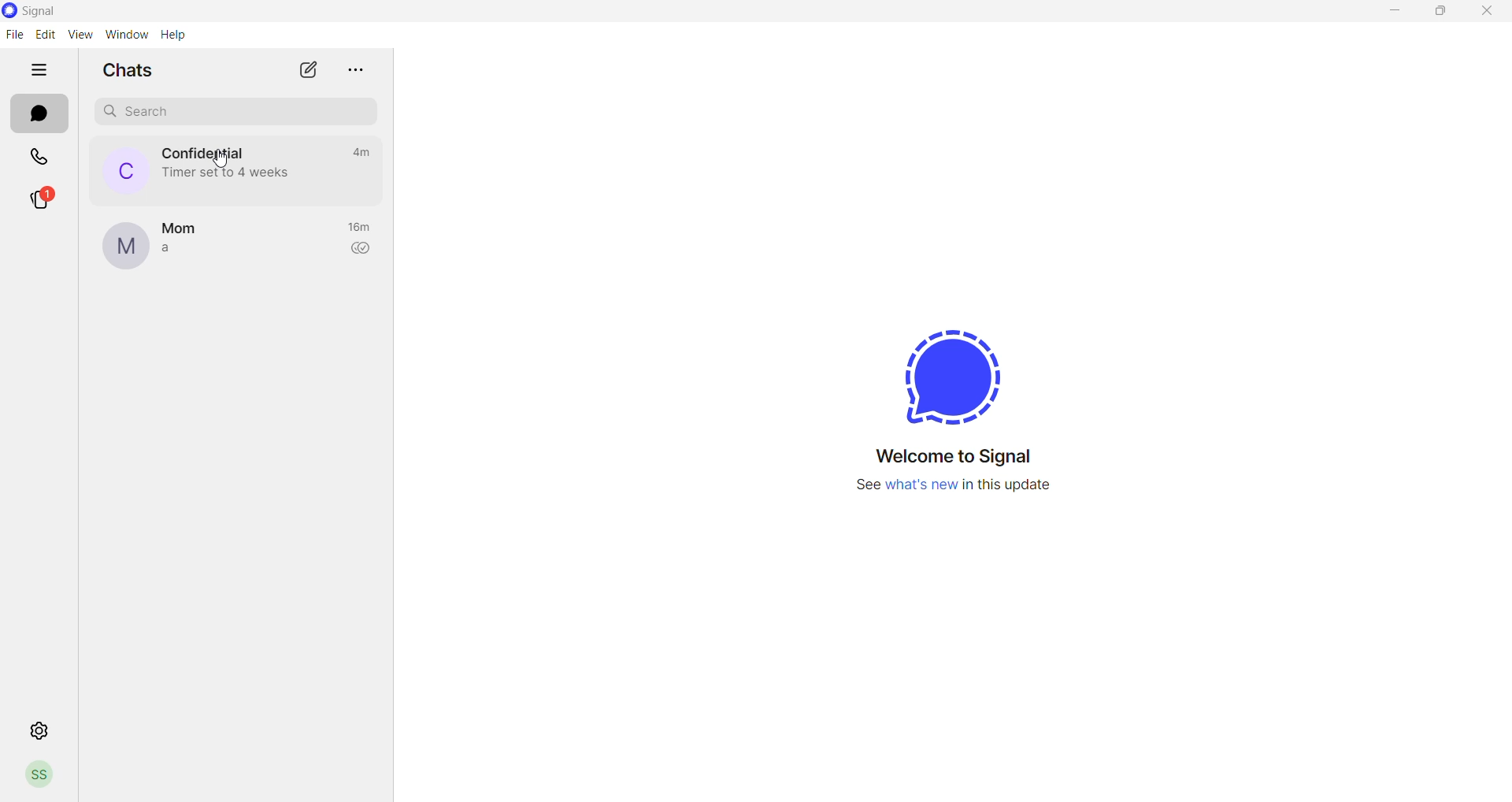  Describe the element at coordinates (40, 75) in the screenshot. I see `hide tabs` at that location.